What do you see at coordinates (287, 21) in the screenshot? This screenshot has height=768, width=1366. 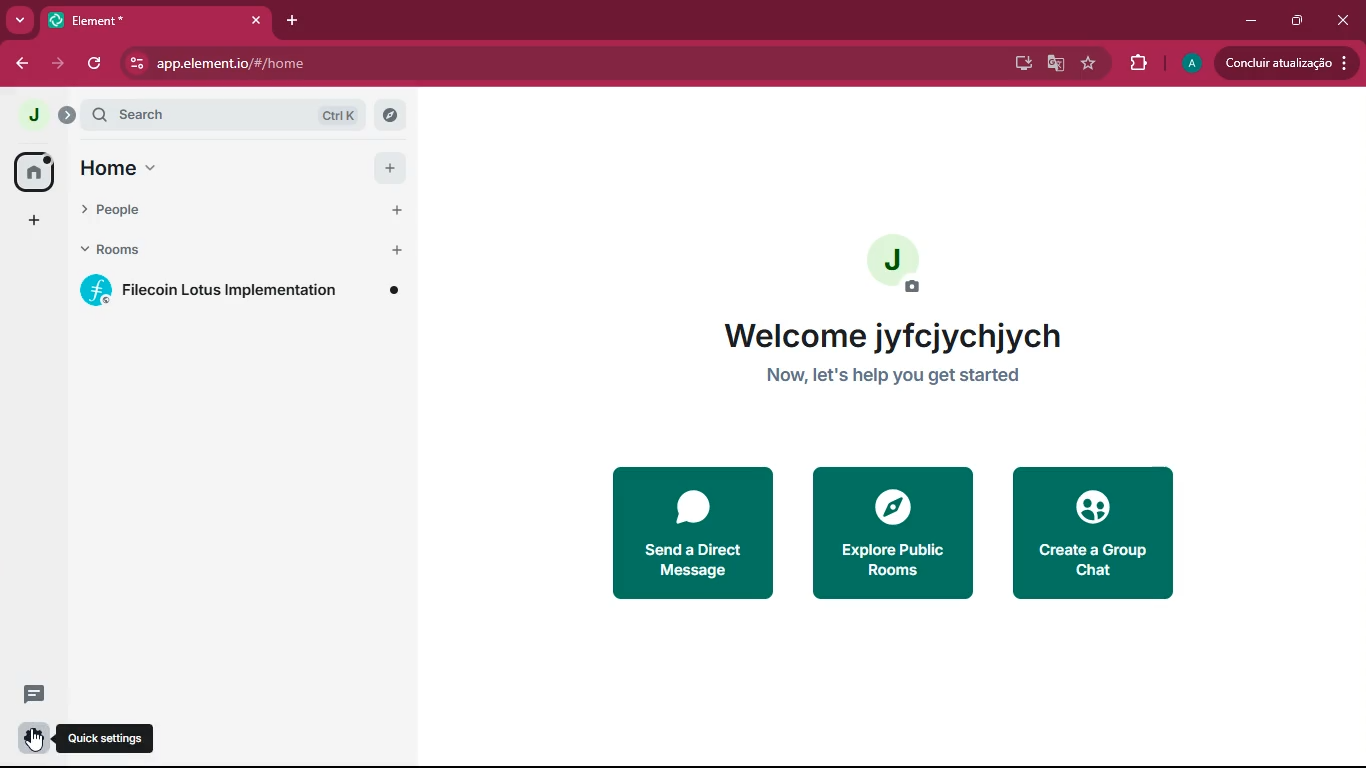 I see `add tab` at bounding box center [287, 21].